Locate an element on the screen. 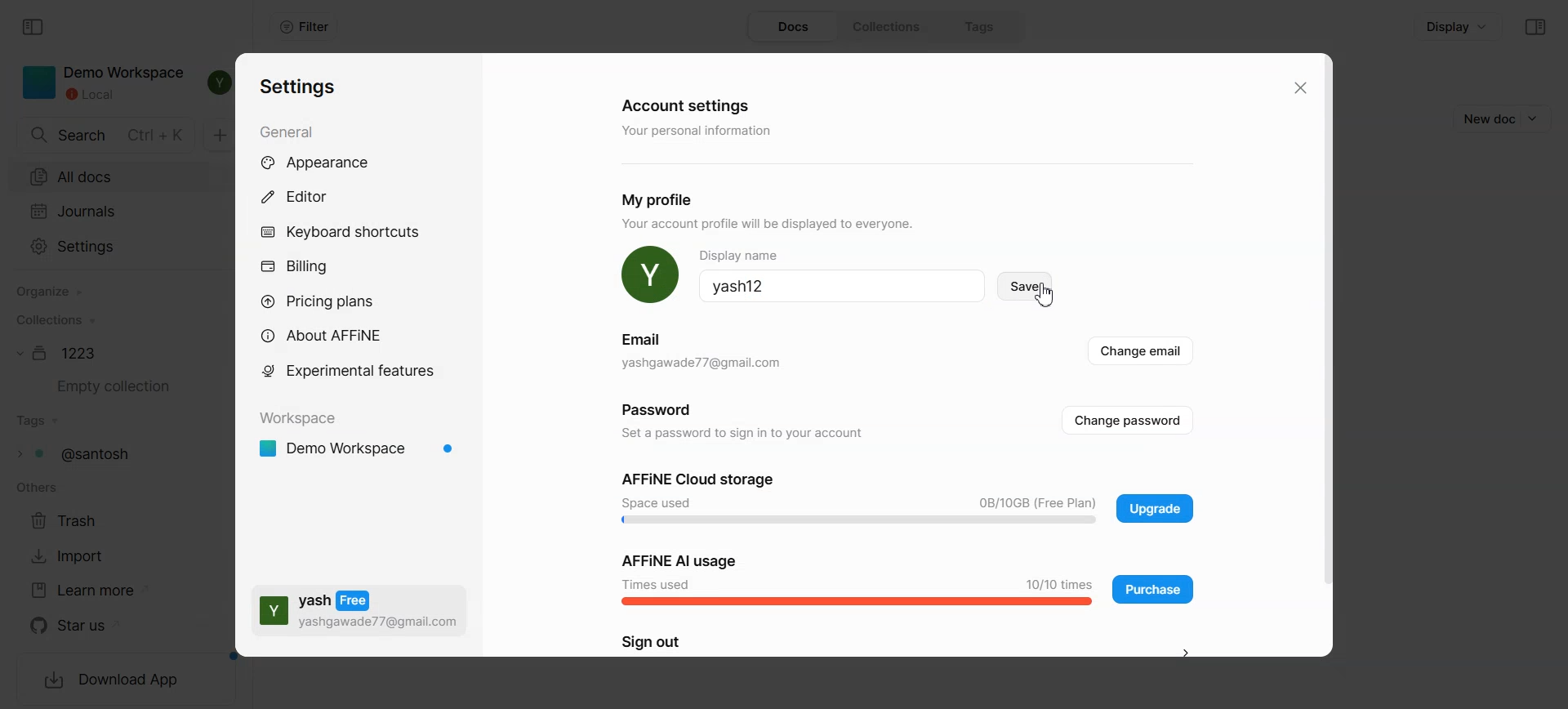 This screenshot has height=709, width=1568. Collections is located at coordinates (892, 27).